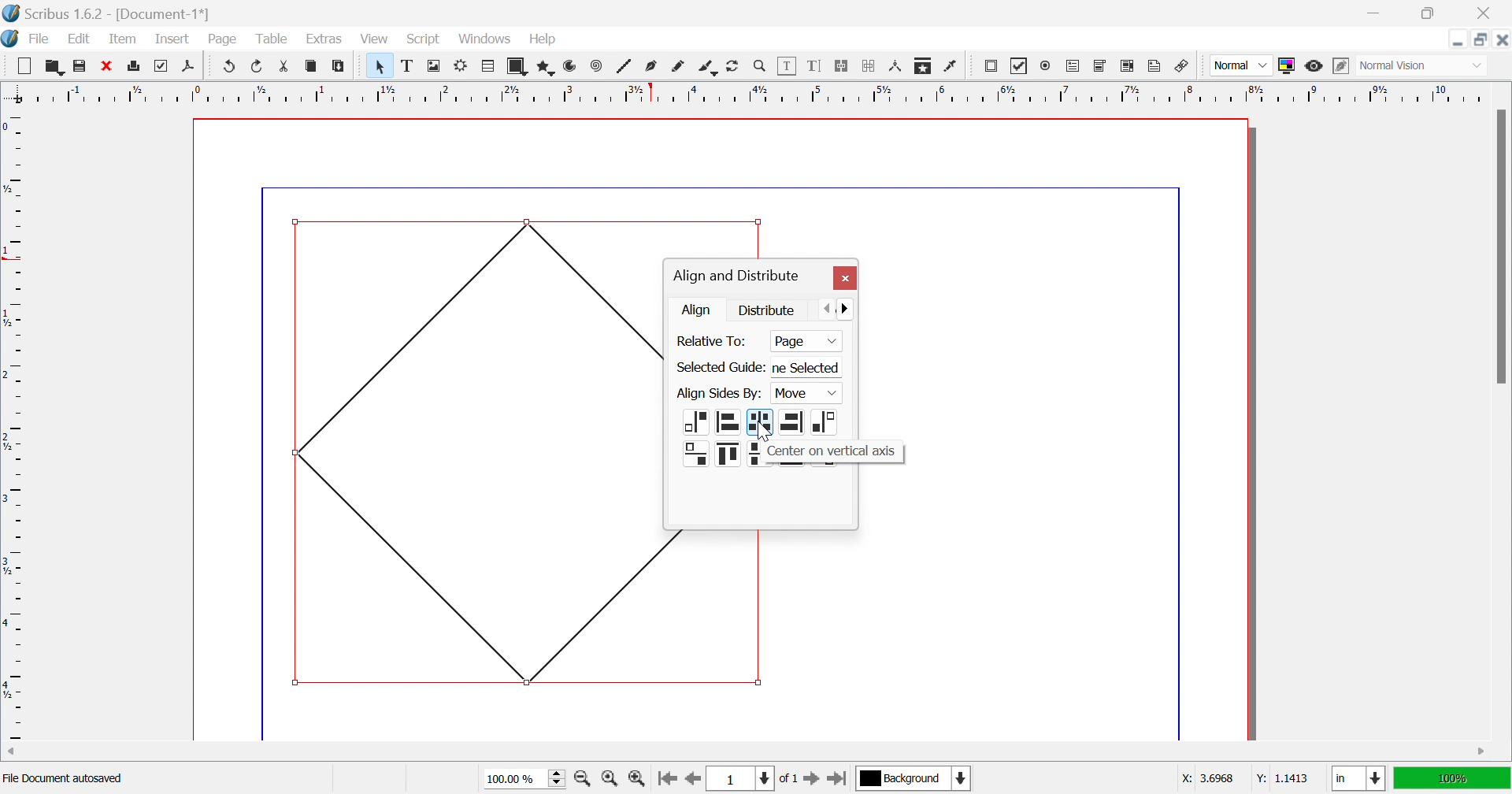 This screenshot has width=1512, height=794. I want to click on New, so click(24, 66).